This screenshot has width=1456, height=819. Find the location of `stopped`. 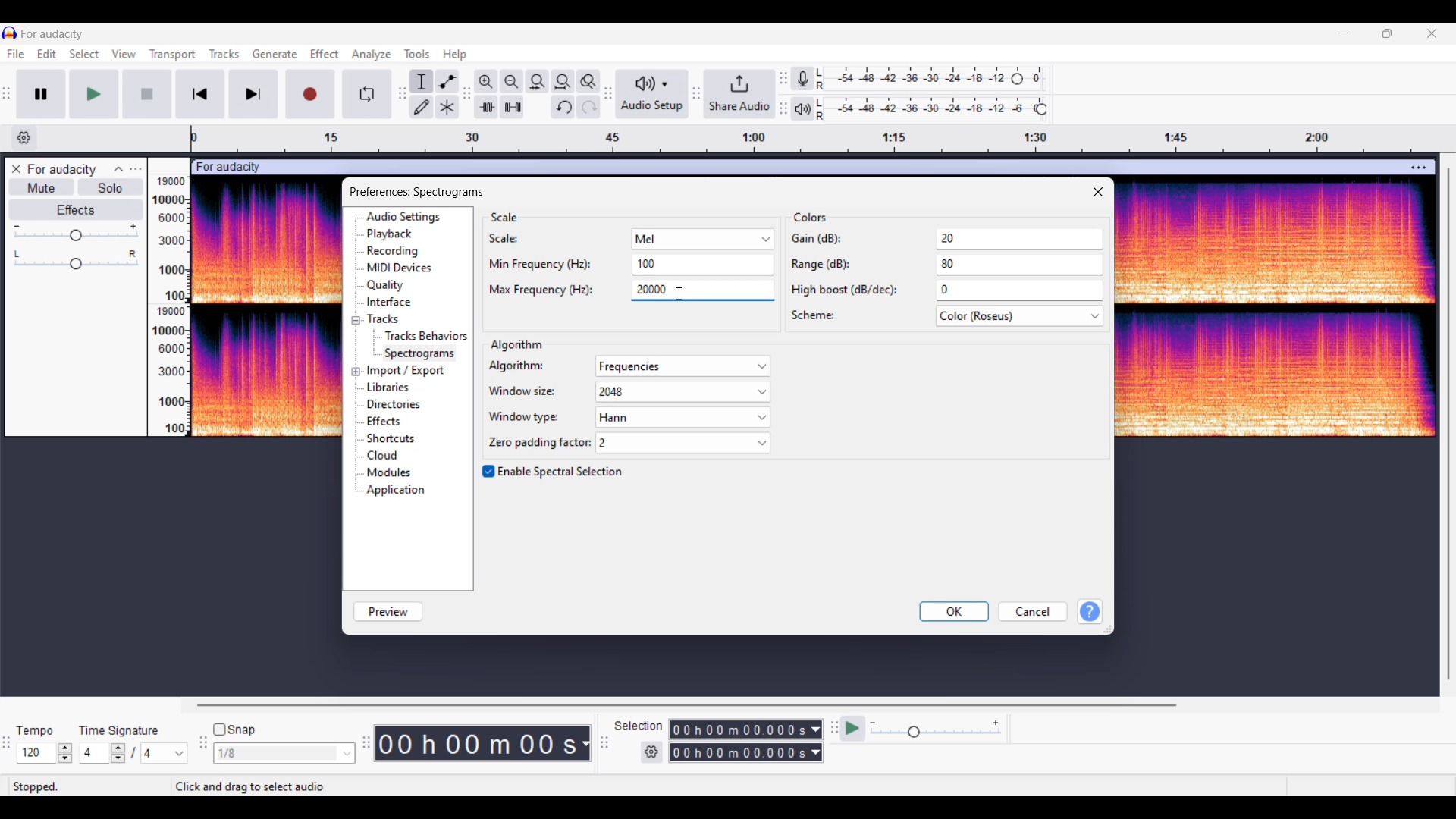

stopped is located at coordinates (49, 786).